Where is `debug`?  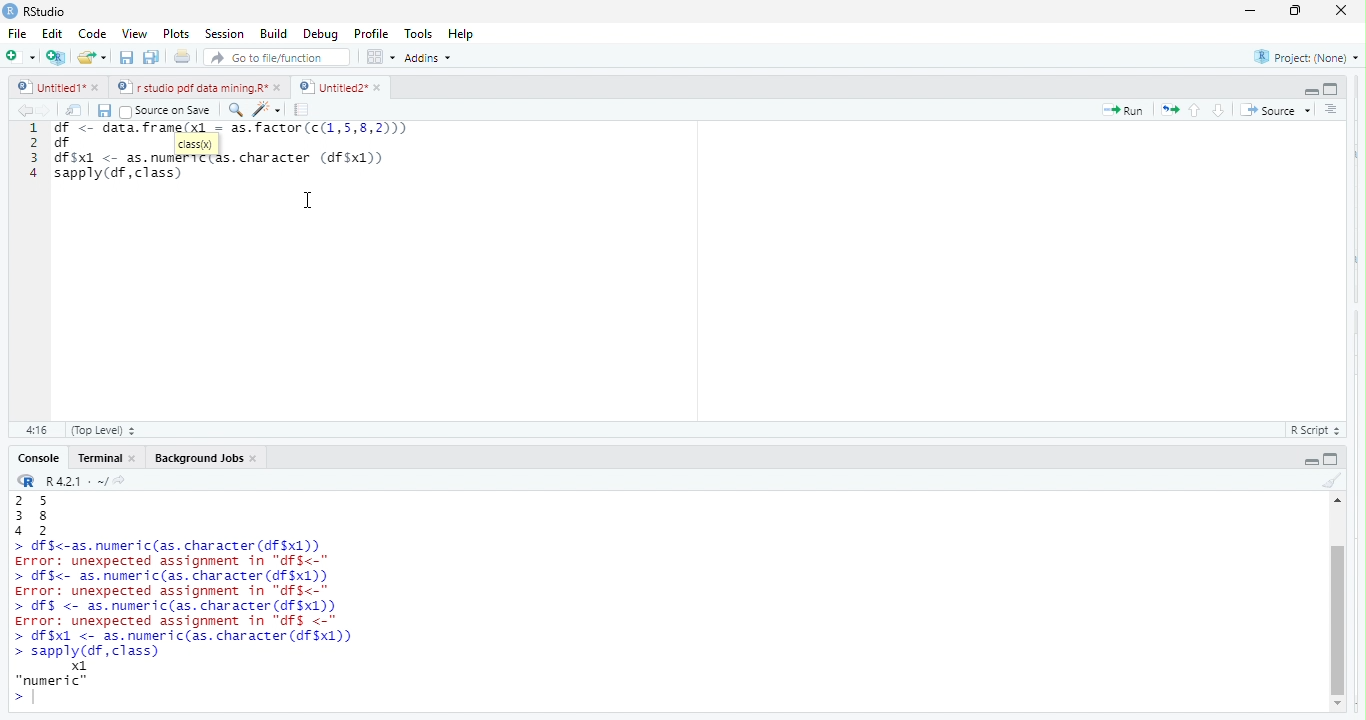 debug is located at coordinates (322, 34).